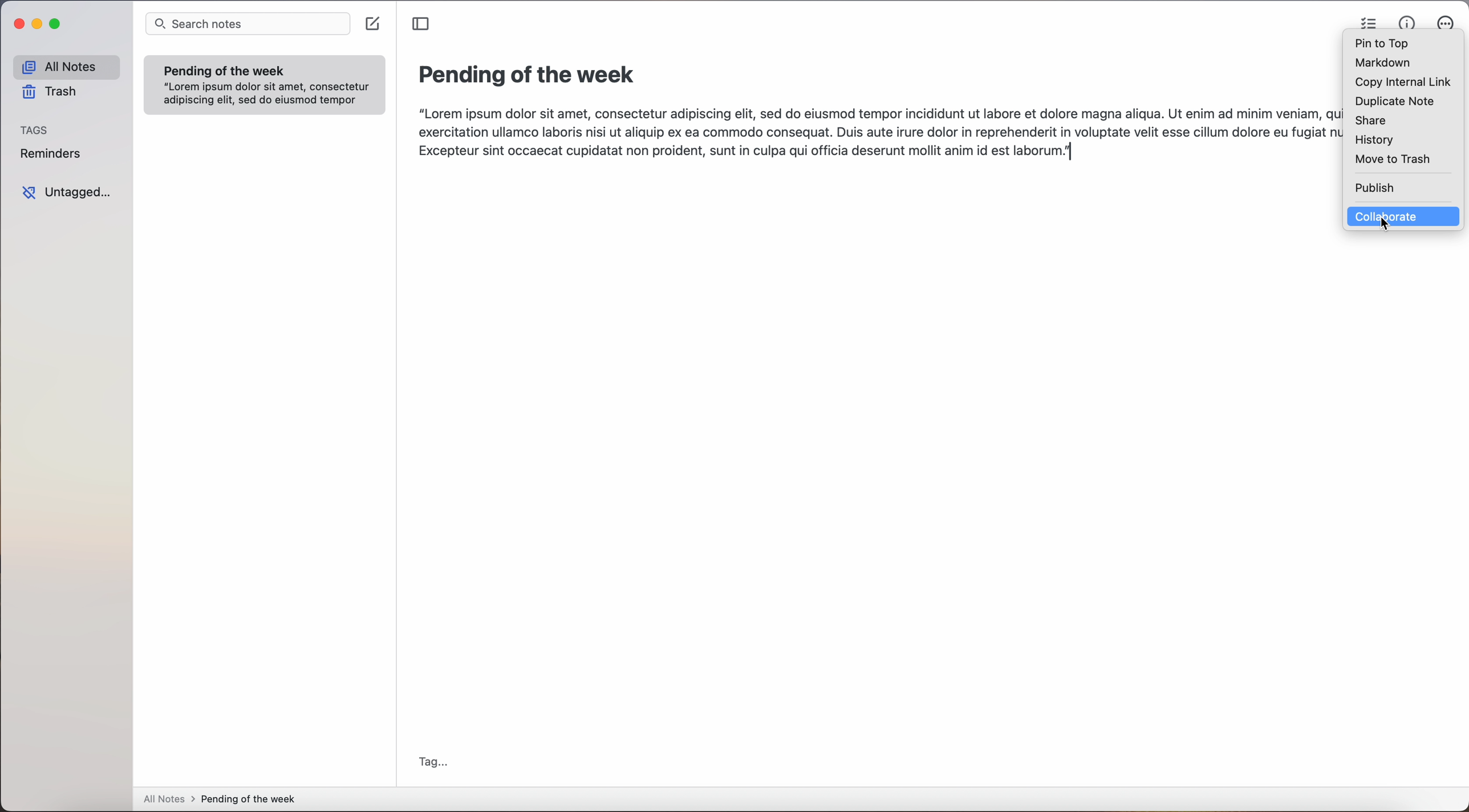 Image resolution: width=1469 pixels, height=812 pixels. I want to click on trash, so click(52, 94).